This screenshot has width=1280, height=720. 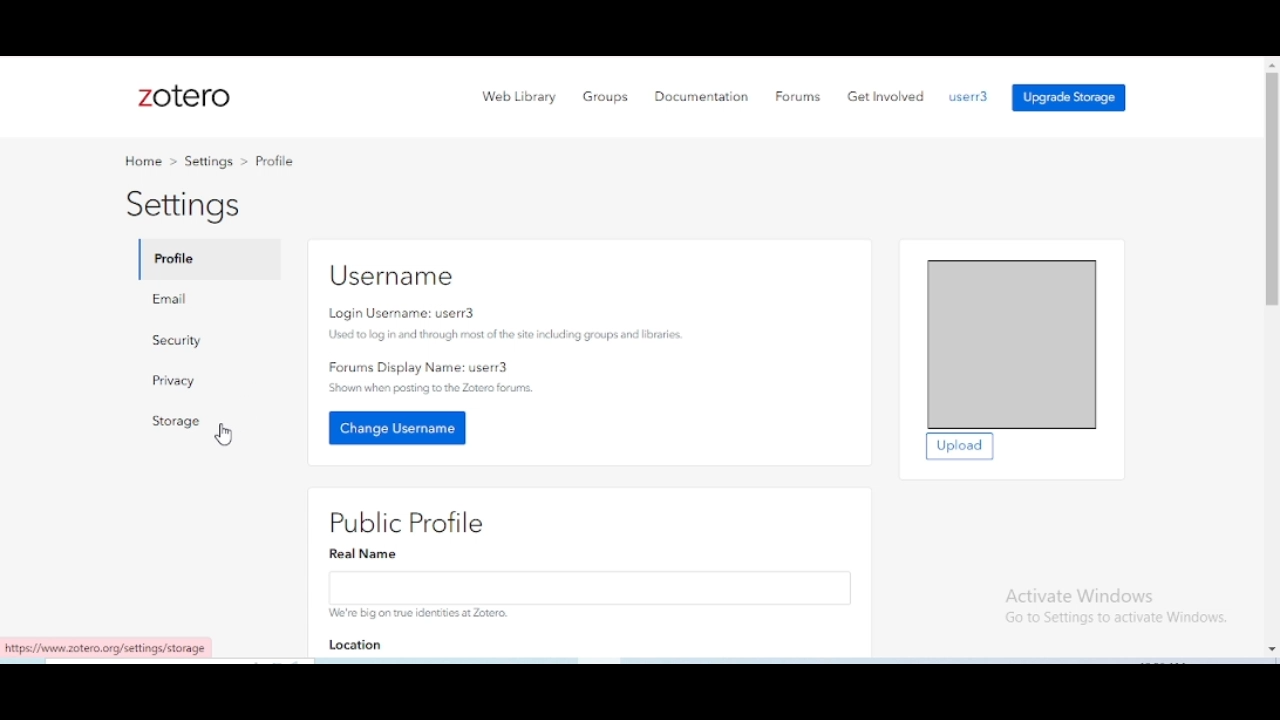 I want to click on privacy, so click(x=173, y=381).